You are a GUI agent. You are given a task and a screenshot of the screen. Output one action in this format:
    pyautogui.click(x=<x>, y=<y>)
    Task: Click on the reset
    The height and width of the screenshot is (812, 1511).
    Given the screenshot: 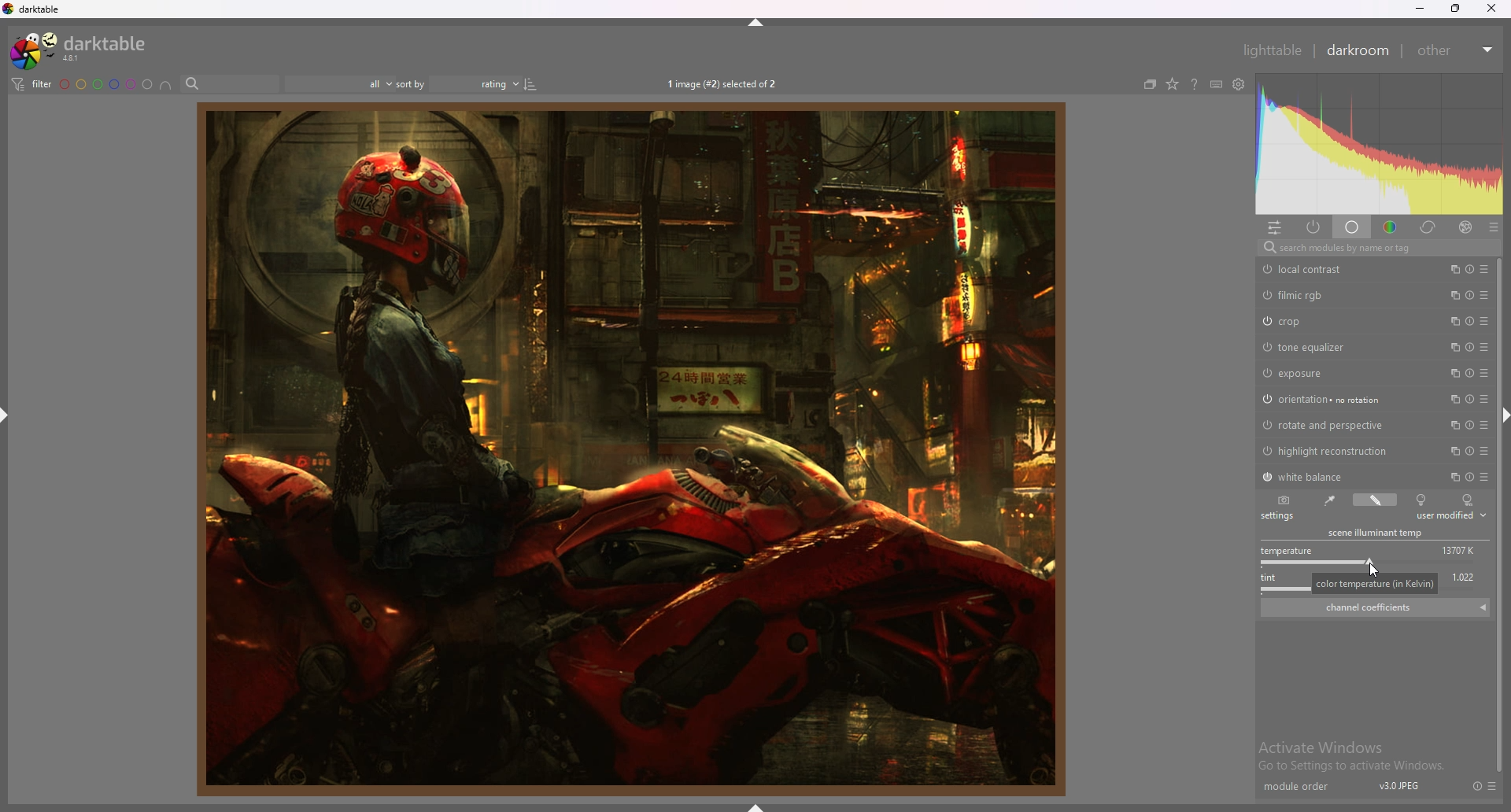 What is the action you would take?
    pyautogui.click(x=1477, y=785)
    